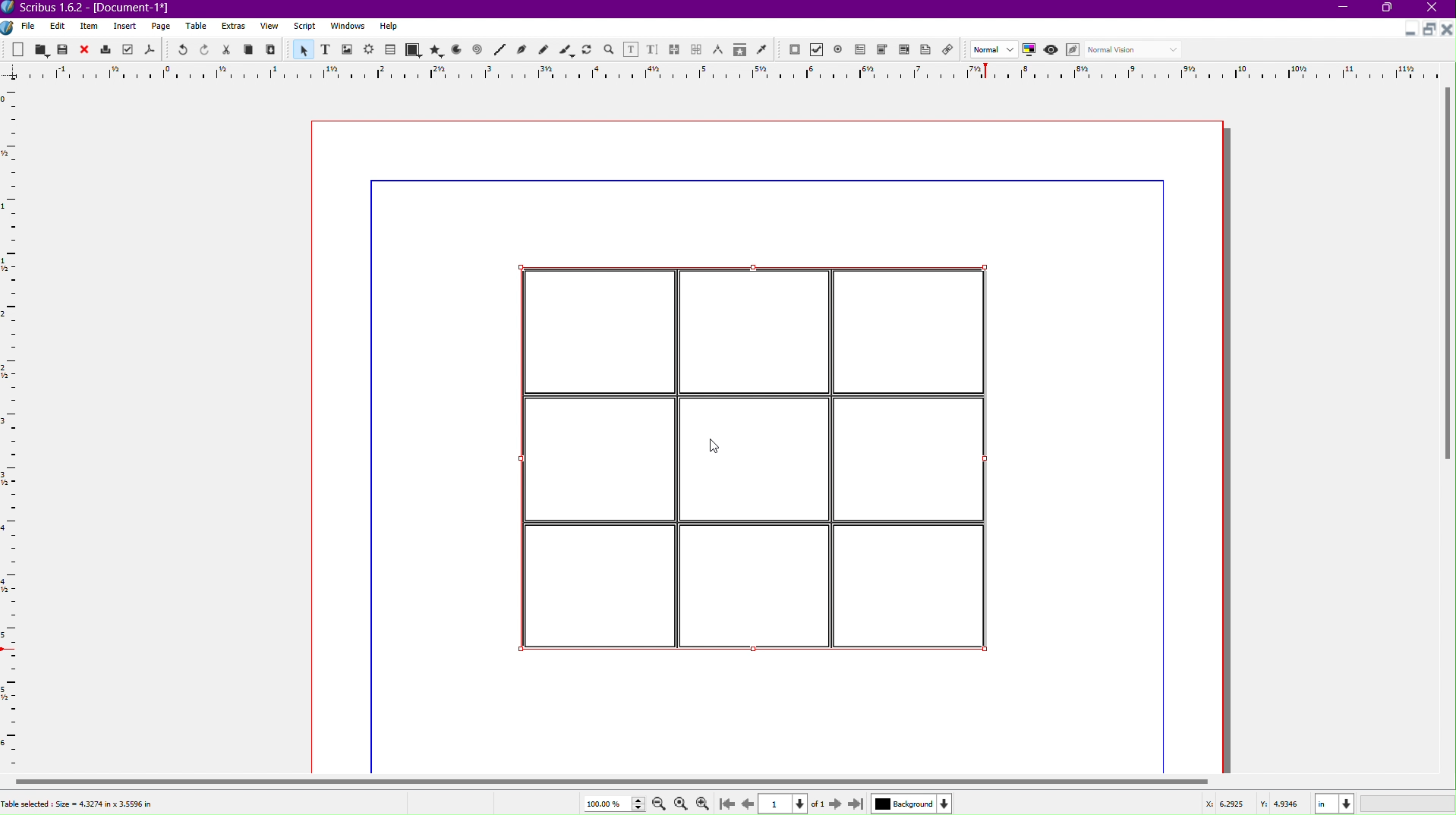 This screenshot has width=1456, height=815. I want to click on Zoom in or out, so click(609, 49).